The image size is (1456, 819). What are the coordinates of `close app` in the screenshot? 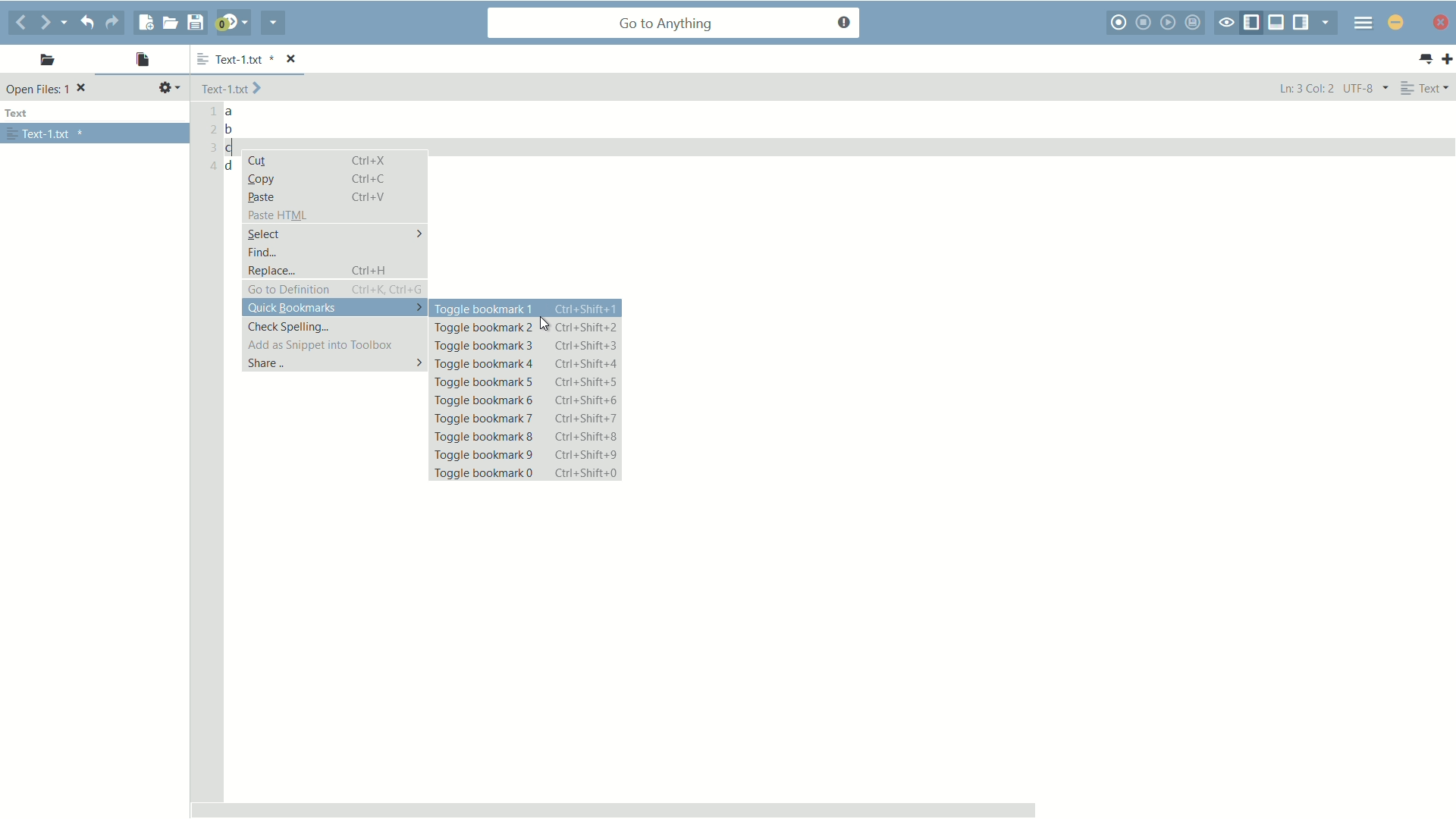 It's located at (1395, 21).